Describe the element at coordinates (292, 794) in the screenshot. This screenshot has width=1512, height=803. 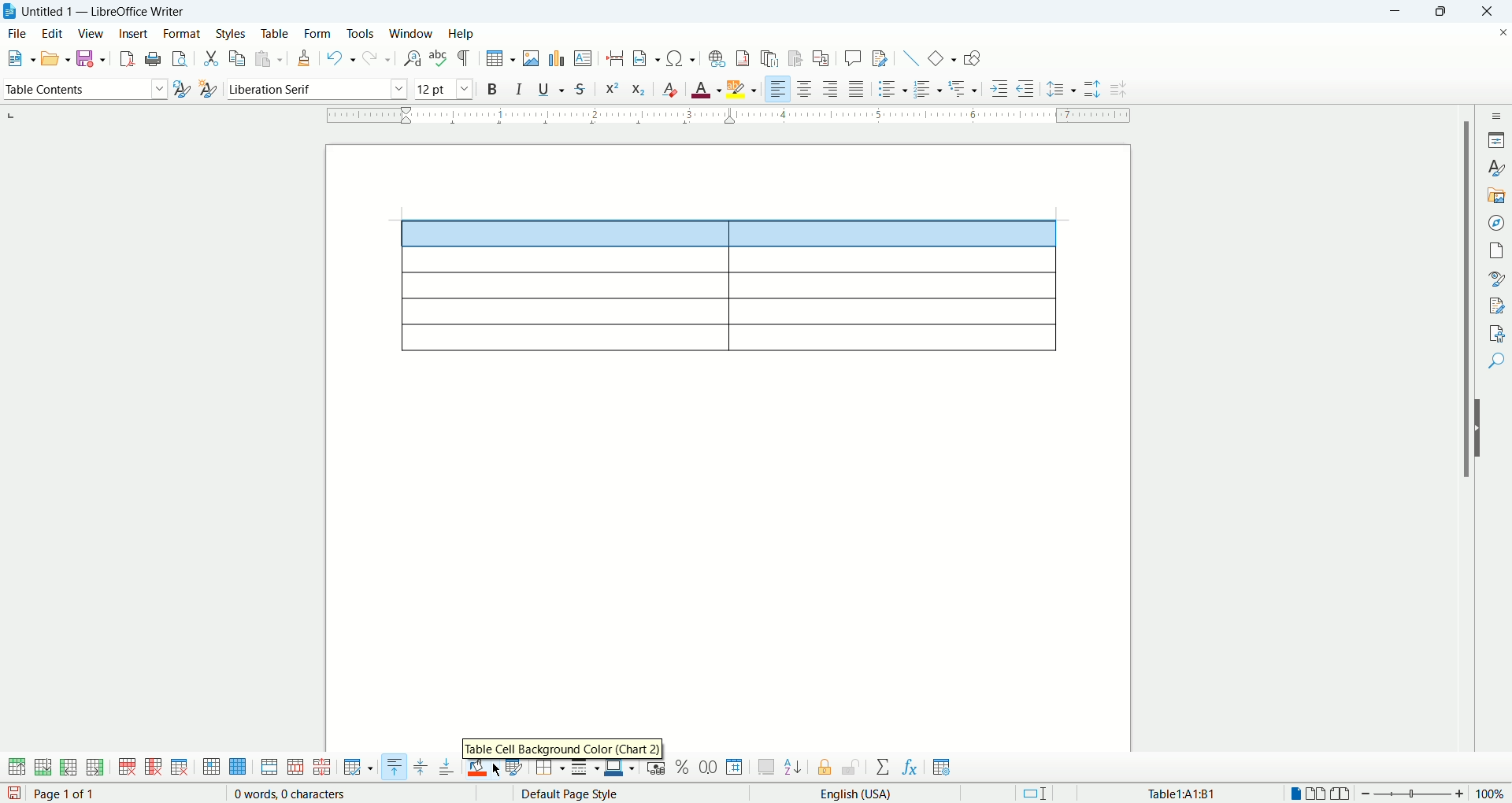
I see `word count` at that location.